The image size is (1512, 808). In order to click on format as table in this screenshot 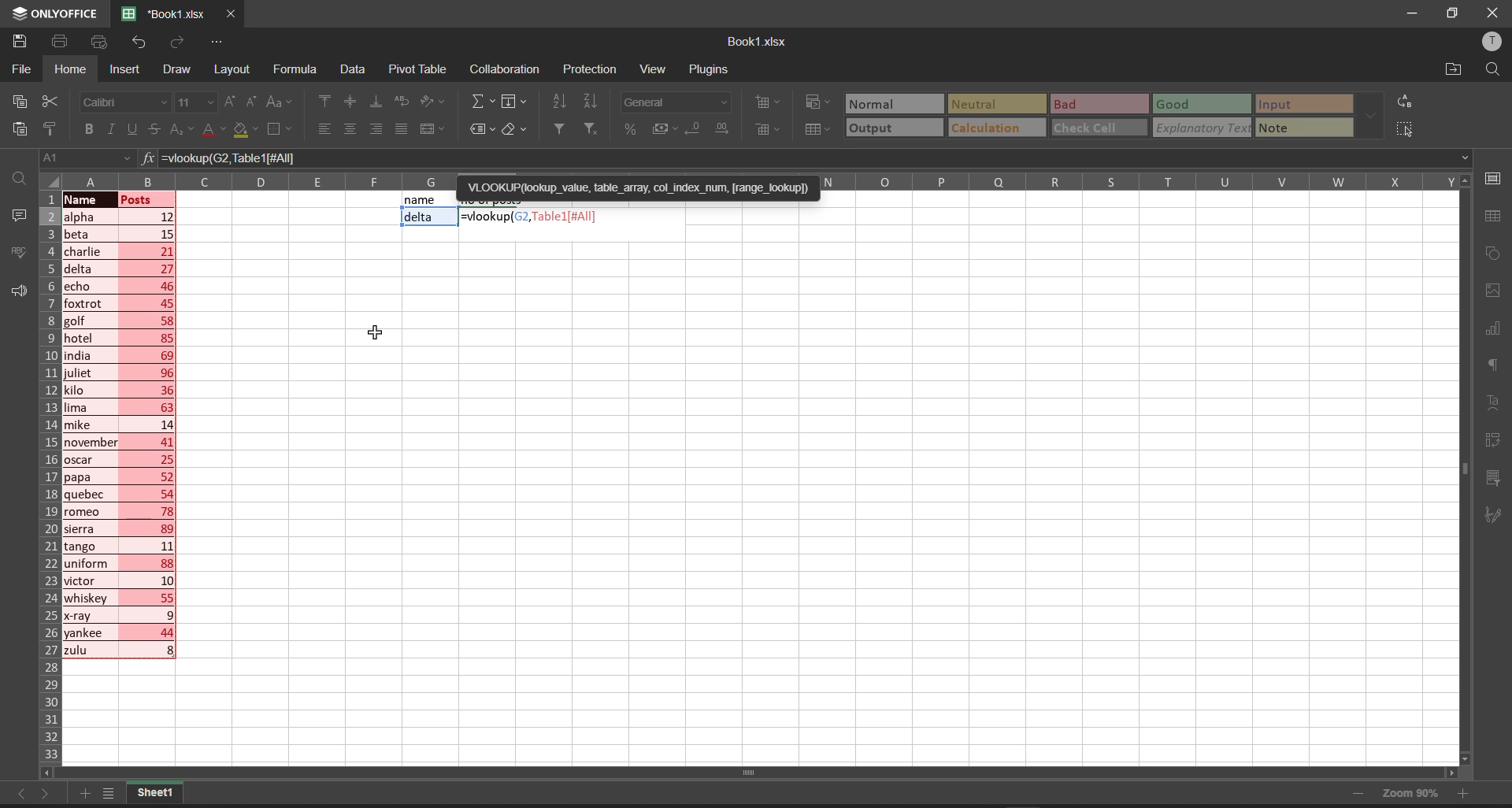, I will do `click(817, 129)`.